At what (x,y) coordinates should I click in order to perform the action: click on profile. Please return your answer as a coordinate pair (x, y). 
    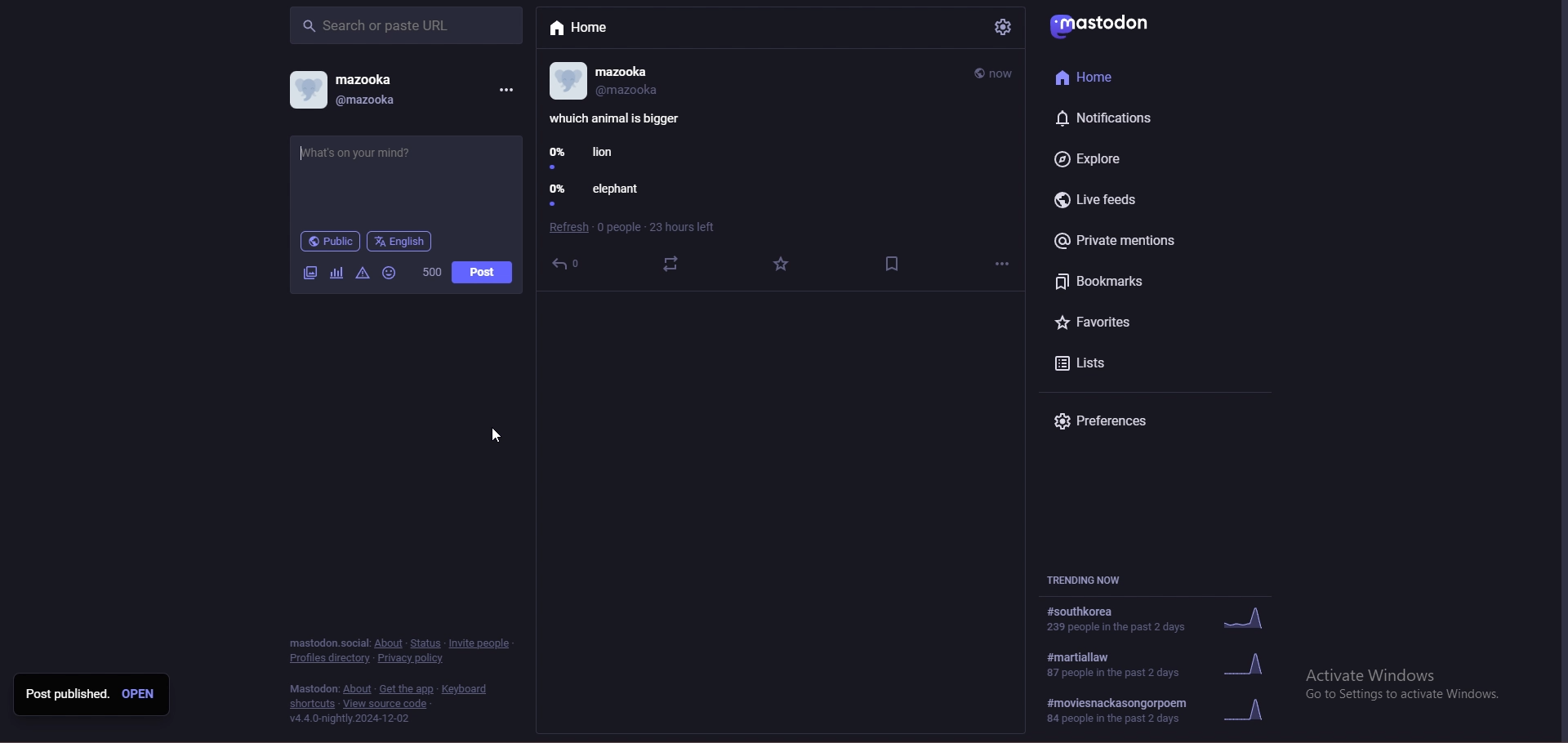
    Looking at the image, I should click on (307, 89).